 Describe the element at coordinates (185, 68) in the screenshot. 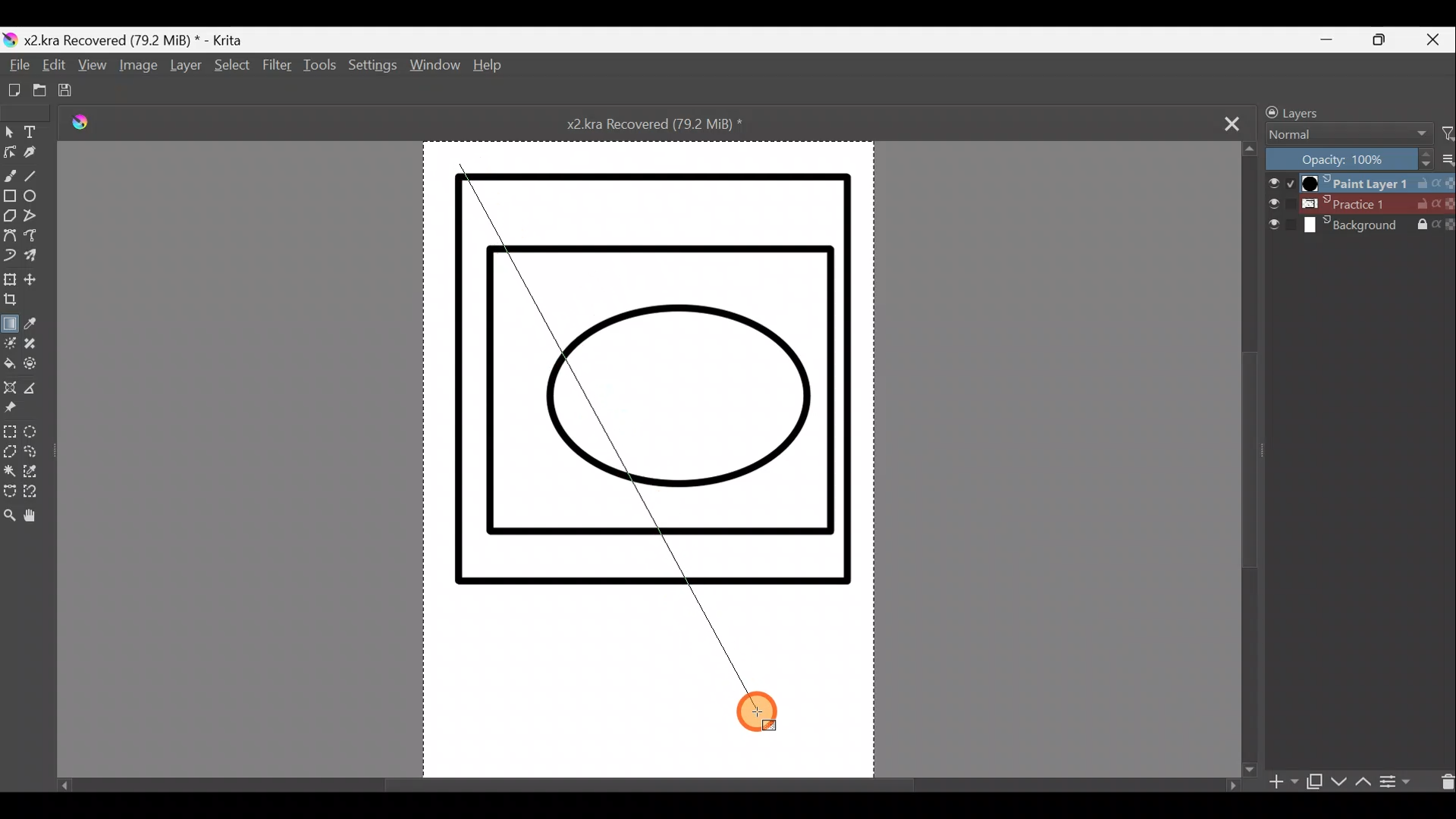

I see `Layer` at that location.